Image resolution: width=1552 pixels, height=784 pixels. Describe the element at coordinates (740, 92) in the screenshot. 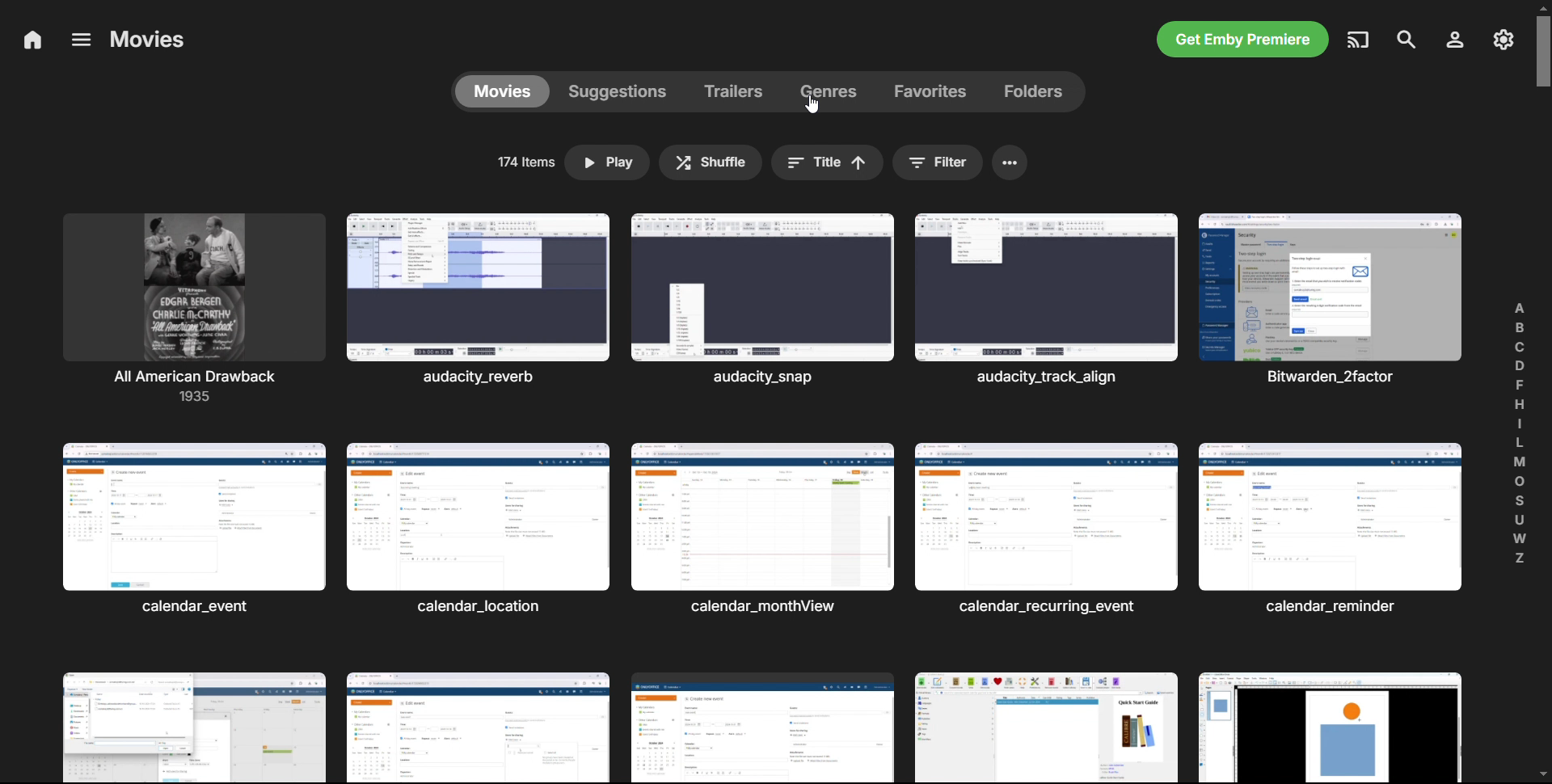

I see `trailers` at that location.